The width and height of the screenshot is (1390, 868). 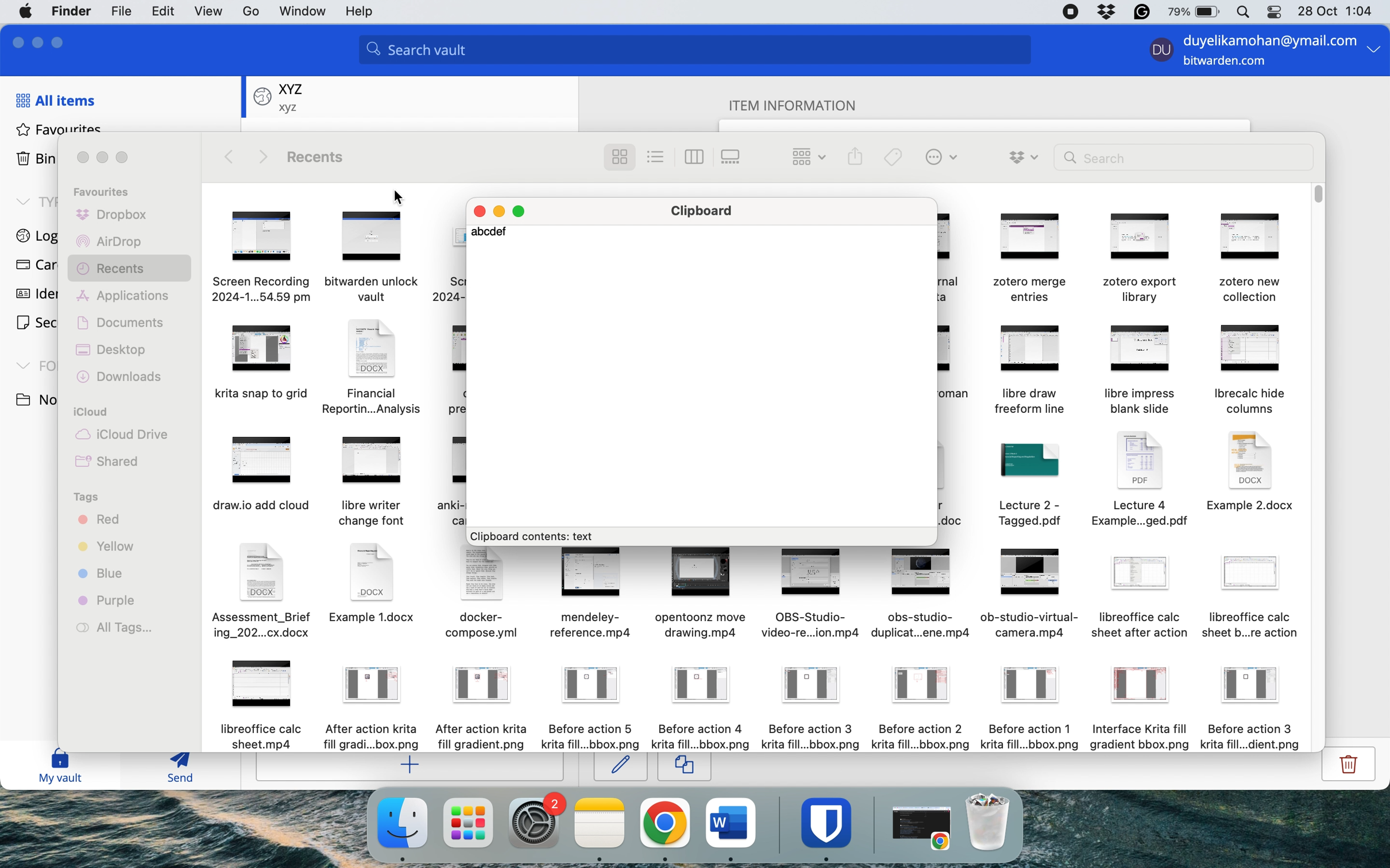 I want to click on ms word, so click(x=731, y=822).